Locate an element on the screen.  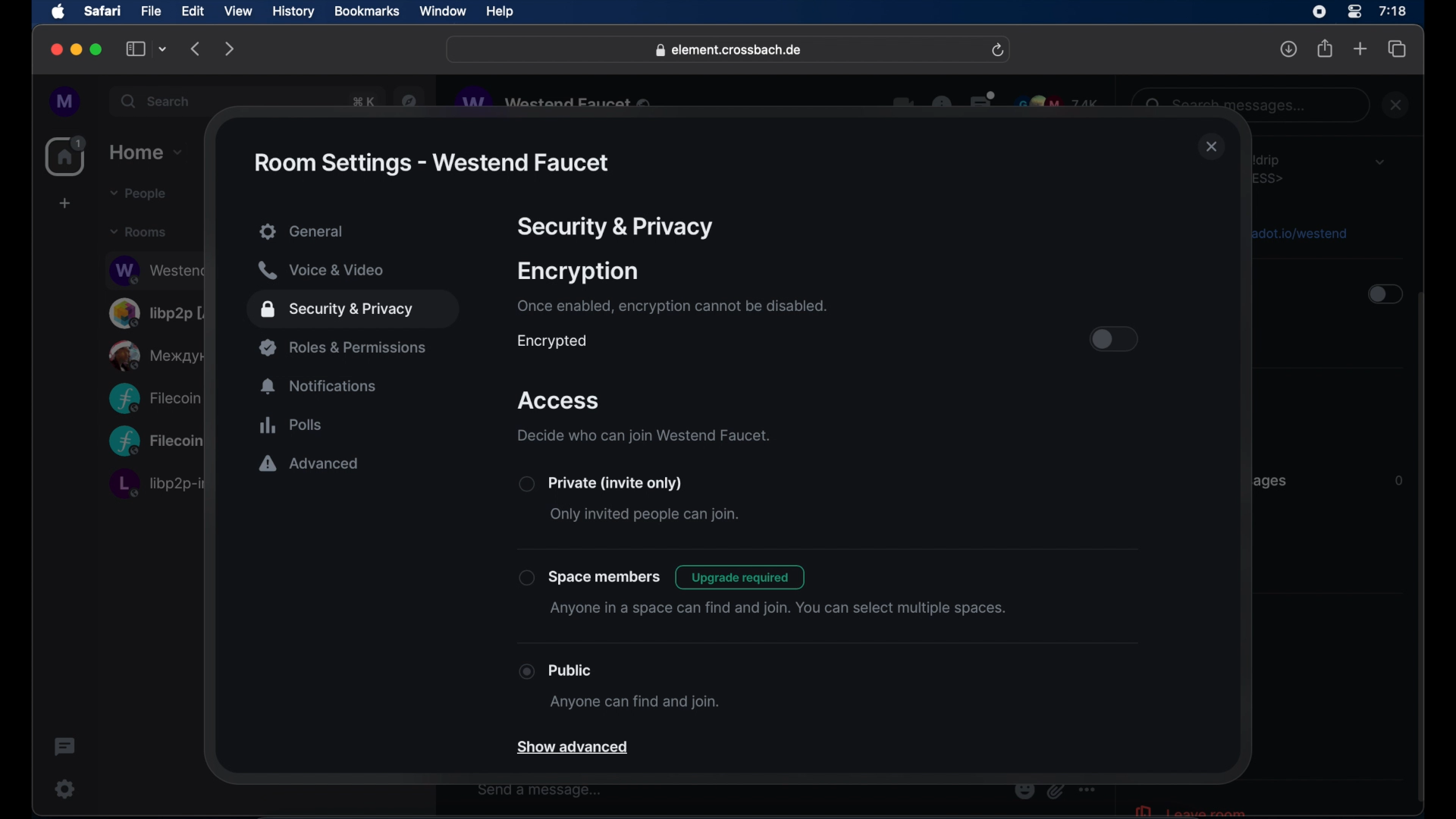
time is located at coordinates (1392, 11).